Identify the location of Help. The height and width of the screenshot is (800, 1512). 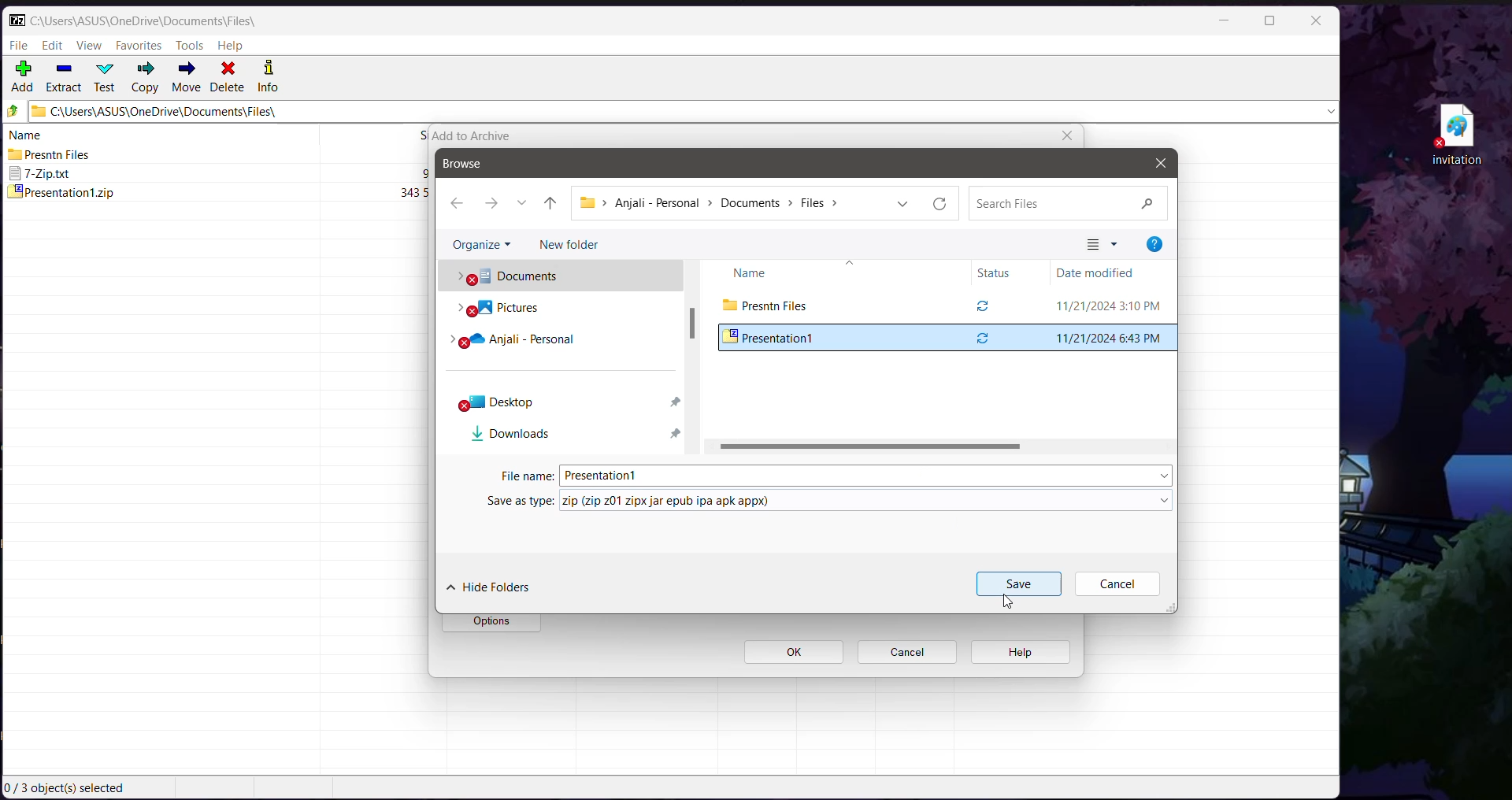
(232, 46).